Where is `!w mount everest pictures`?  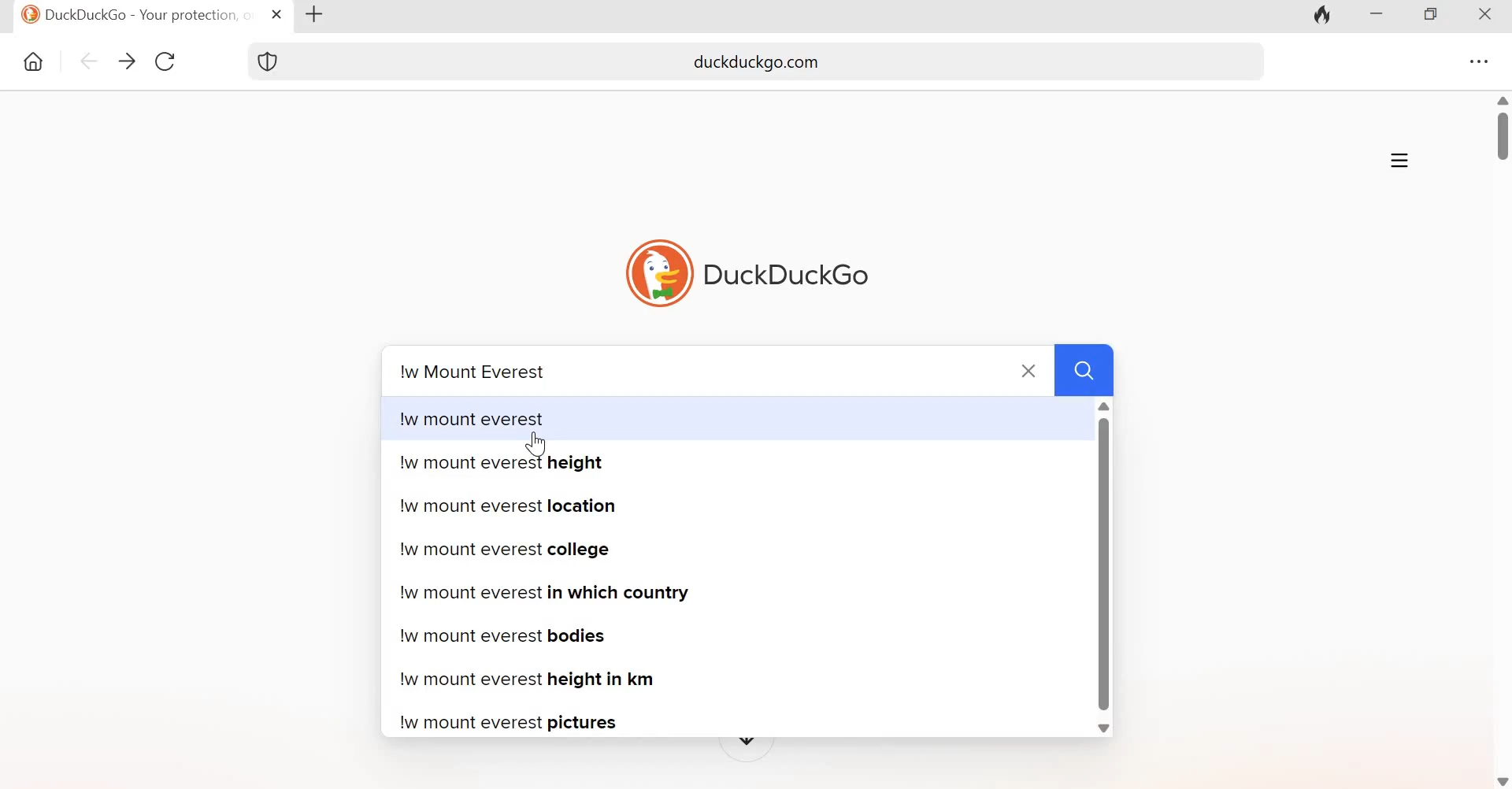 !w mount everest pictures is located at coordinates (512, 725).